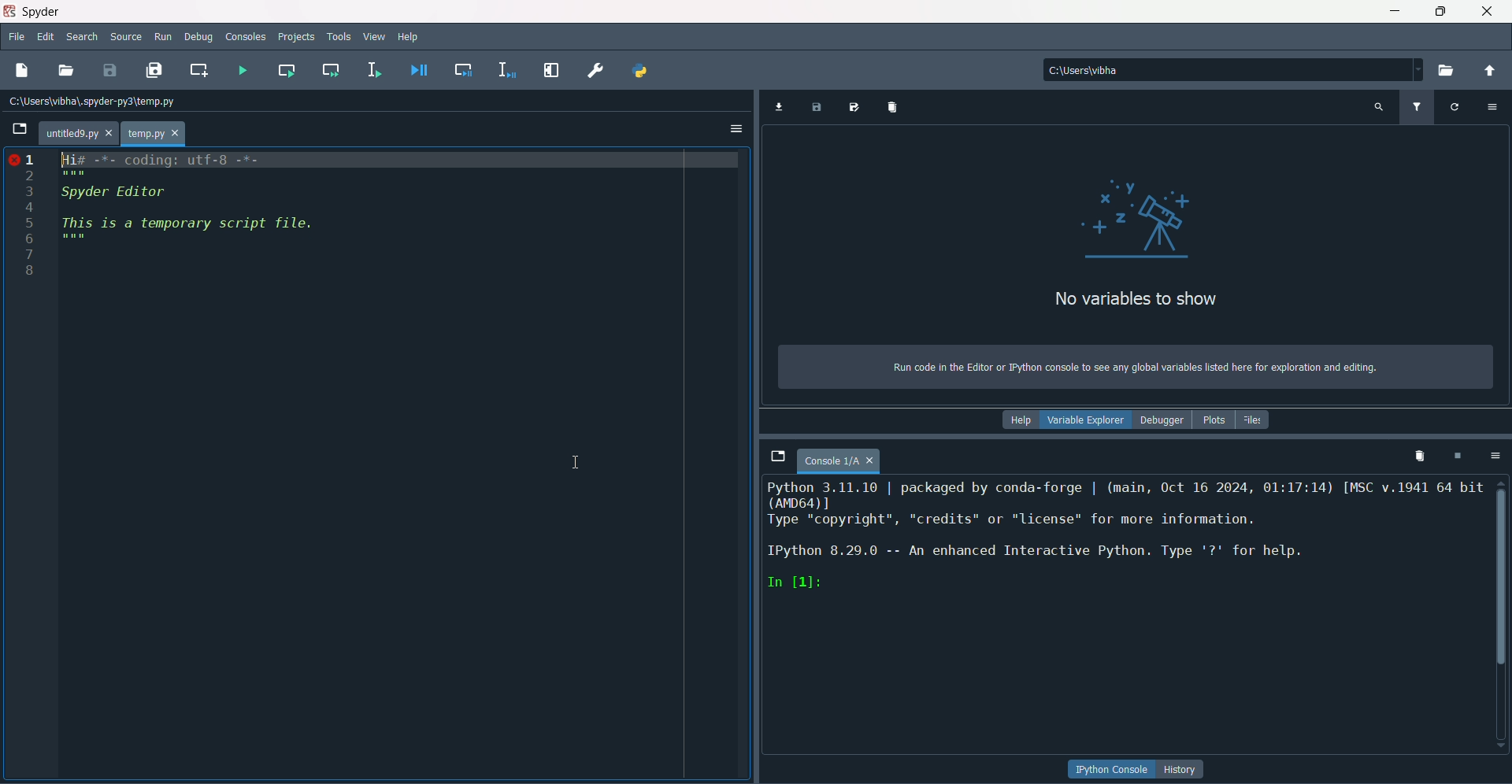  I want to click on code, so click(187, 199).